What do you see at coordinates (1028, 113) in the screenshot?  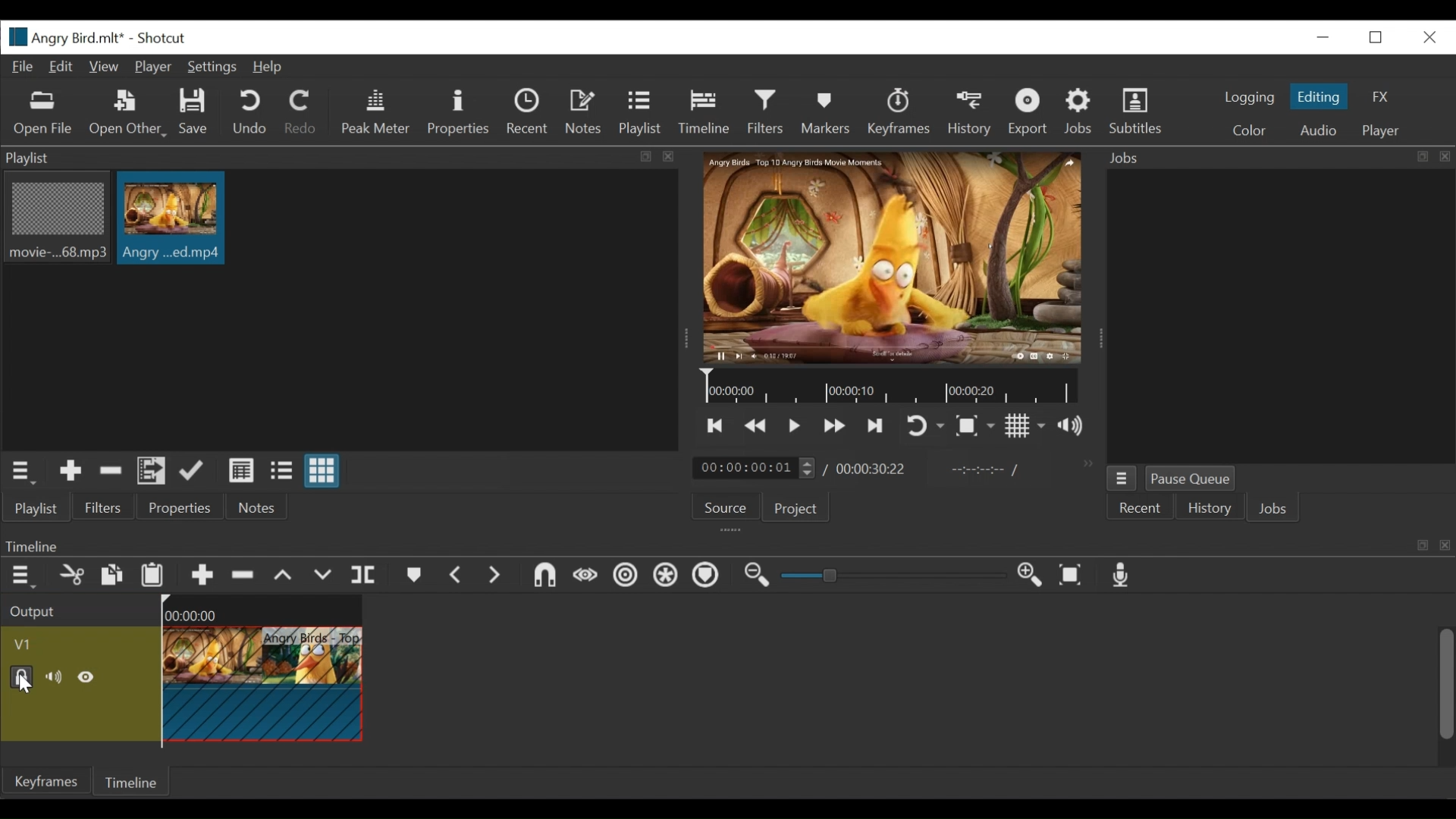 I see `Export` at bounding box center [1028, 113].